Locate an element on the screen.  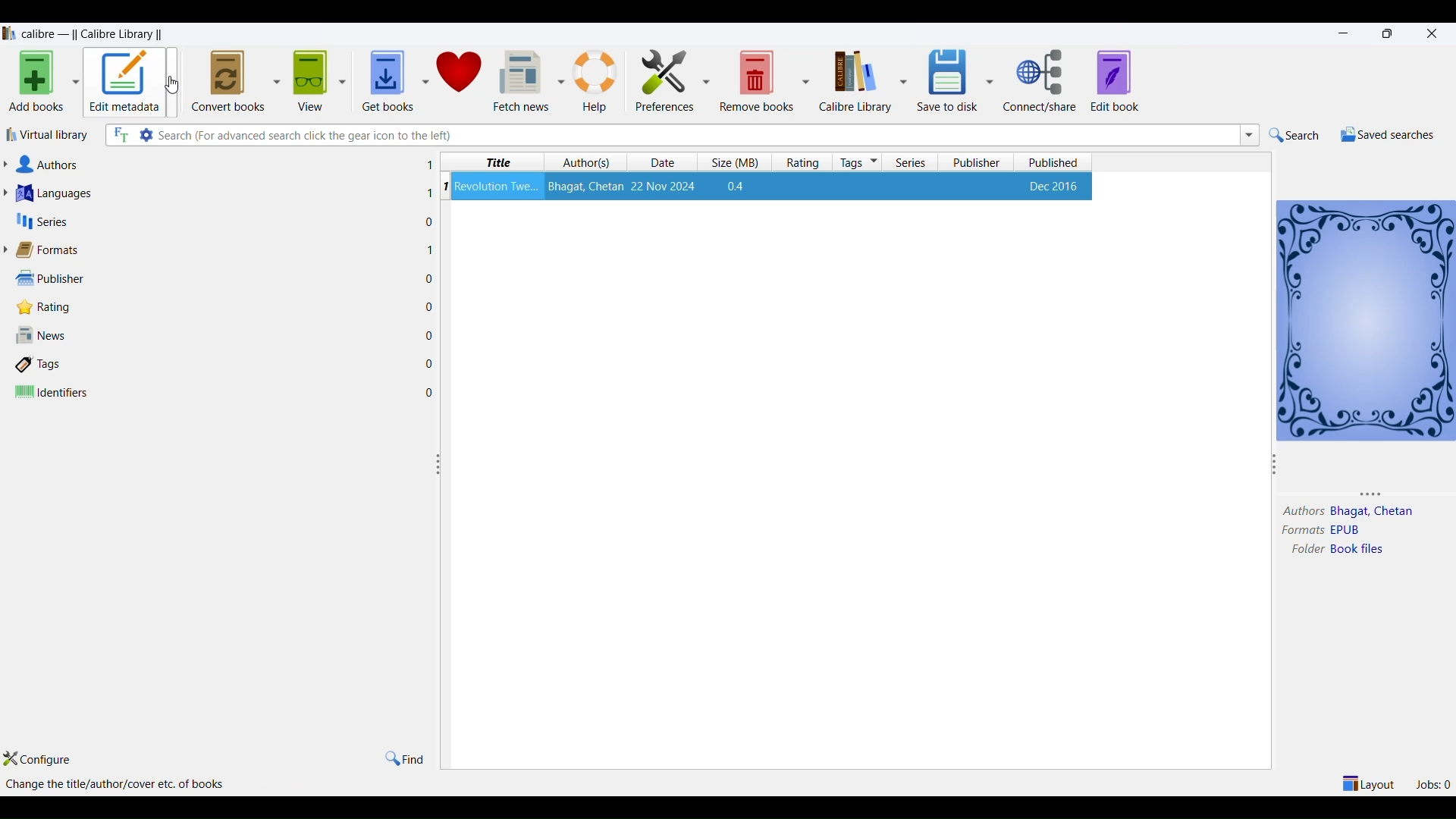
0 is located at coordinates (430, 306).